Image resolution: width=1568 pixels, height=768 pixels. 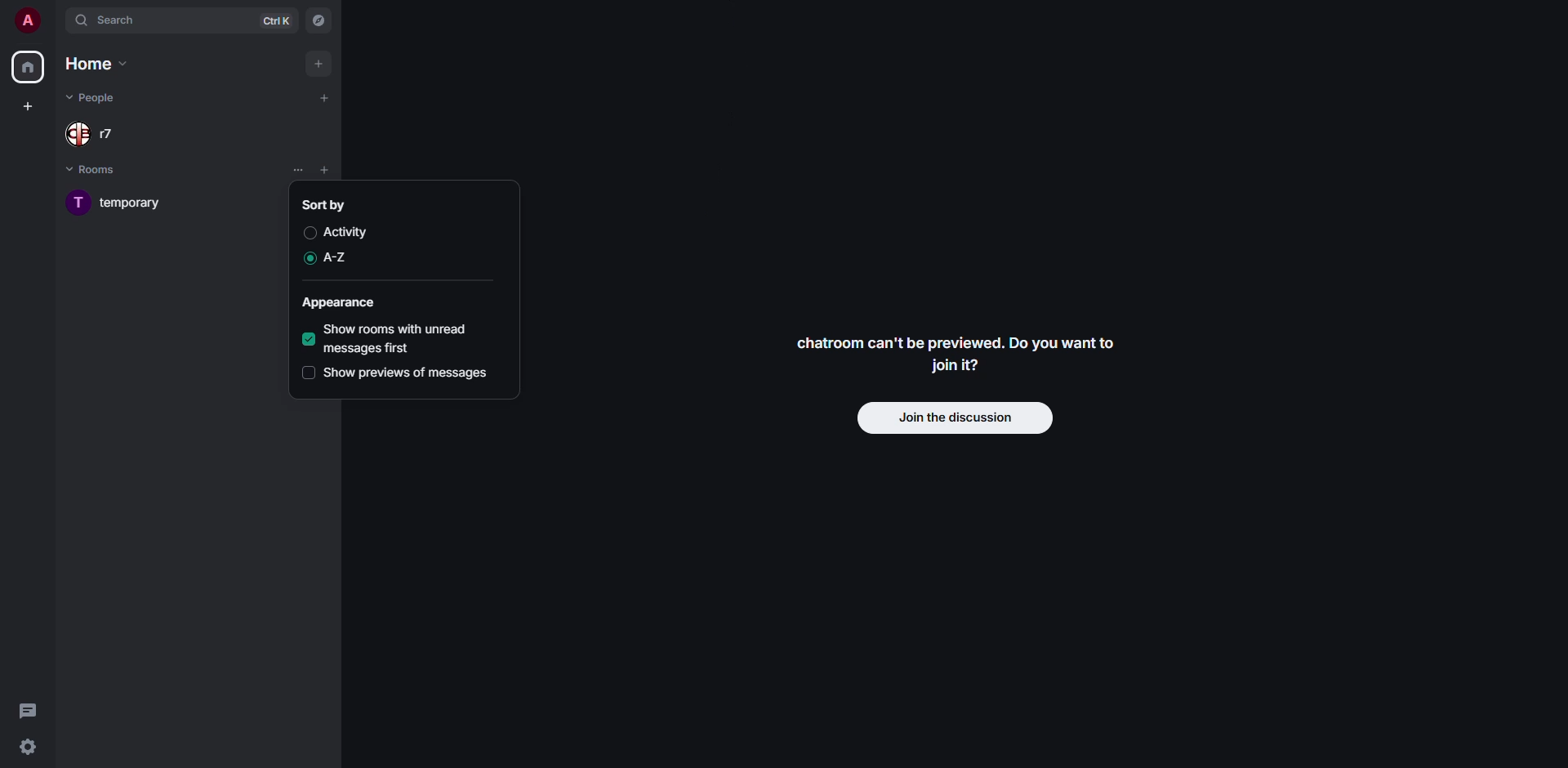 I want to click on list options, so click(x=297, y=171).